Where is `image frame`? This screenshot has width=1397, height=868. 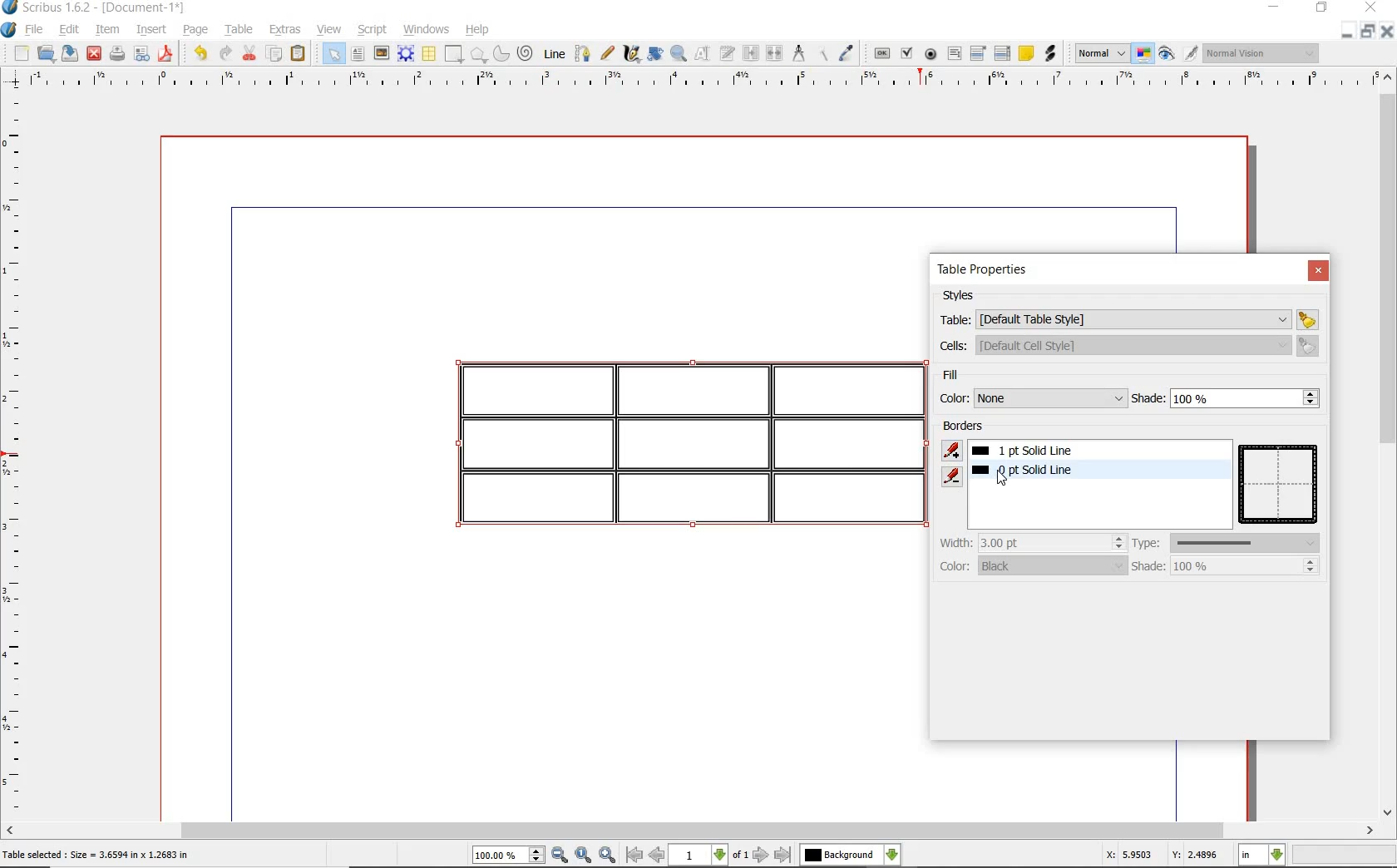
image frame is located at coordinates (382, 54).